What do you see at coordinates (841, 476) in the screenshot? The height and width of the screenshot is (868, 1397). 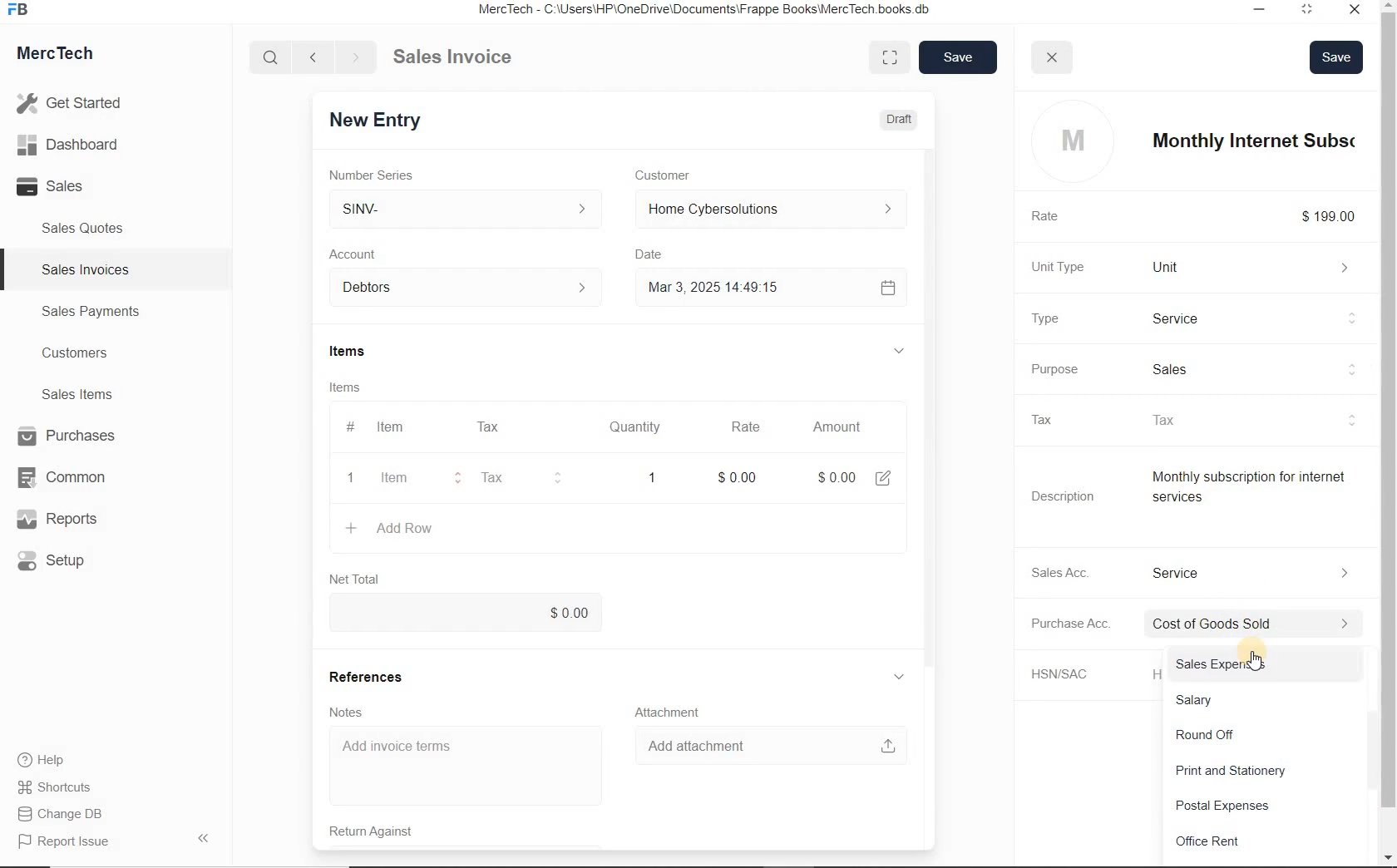 I see `Amount: $0.00` at bounding box center [841, 476].